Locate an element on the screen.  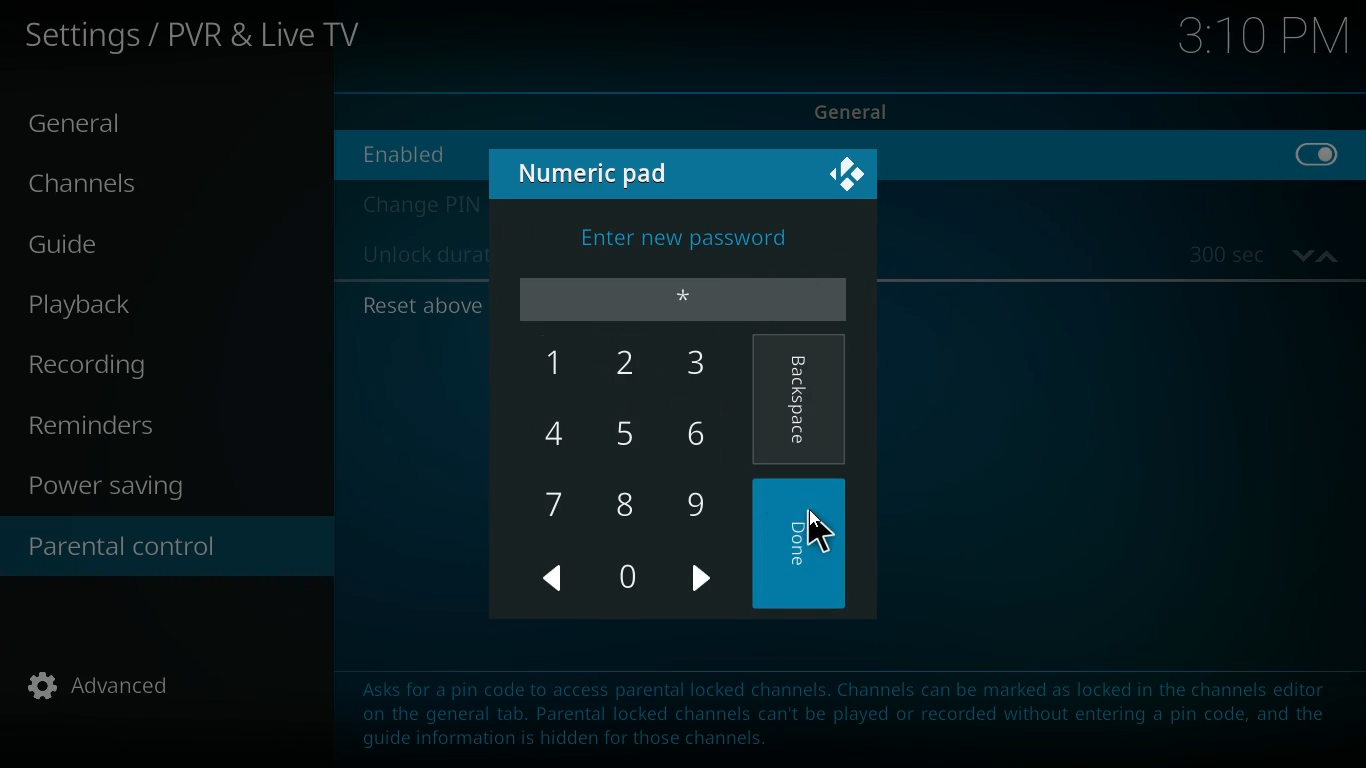
parental control is located at coordinates (167, 549).